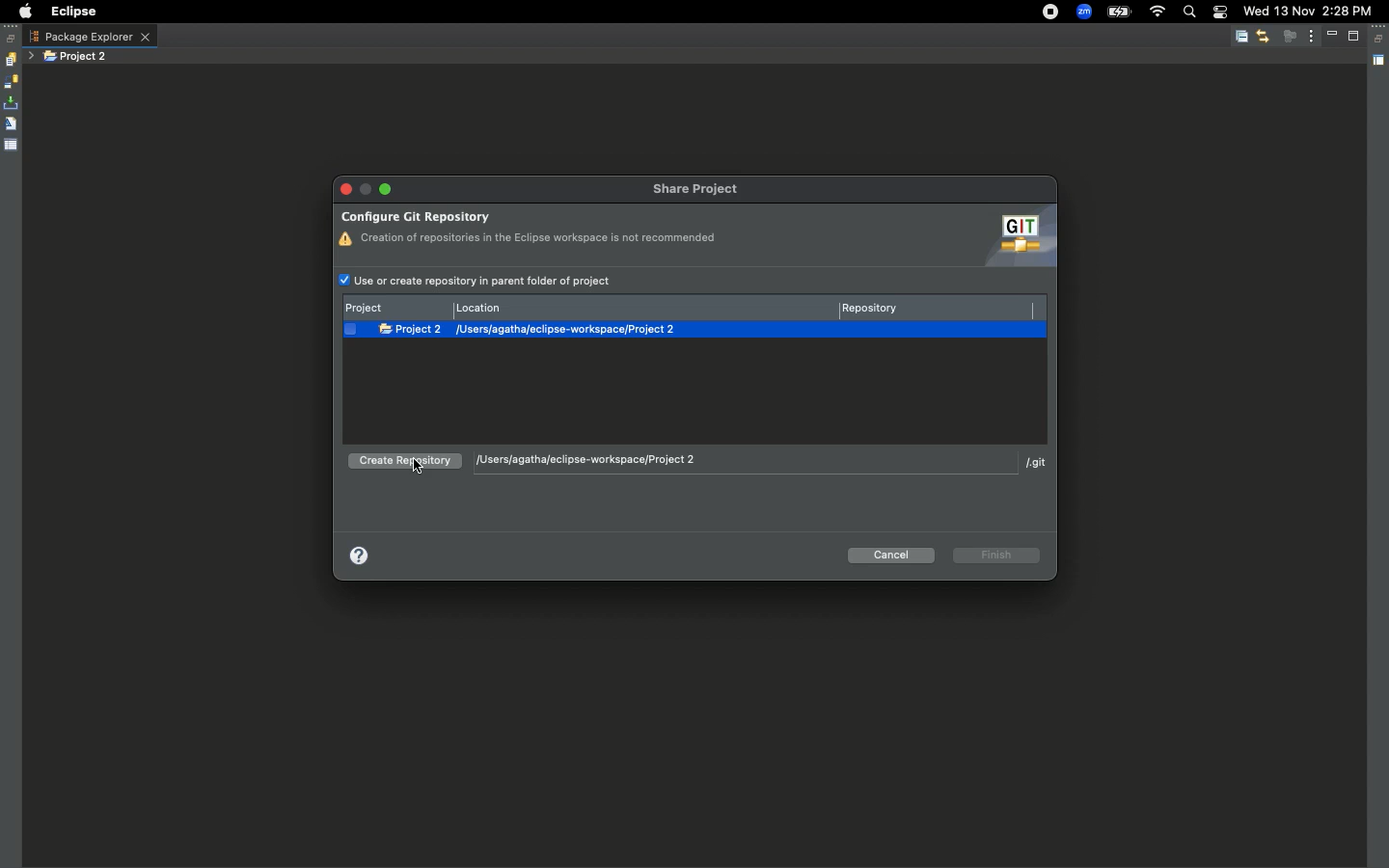 This screenshot has height=868, width=1389. Describe the element at coordinates (998, 555) in the screenshot. I see `Finish` at that location.